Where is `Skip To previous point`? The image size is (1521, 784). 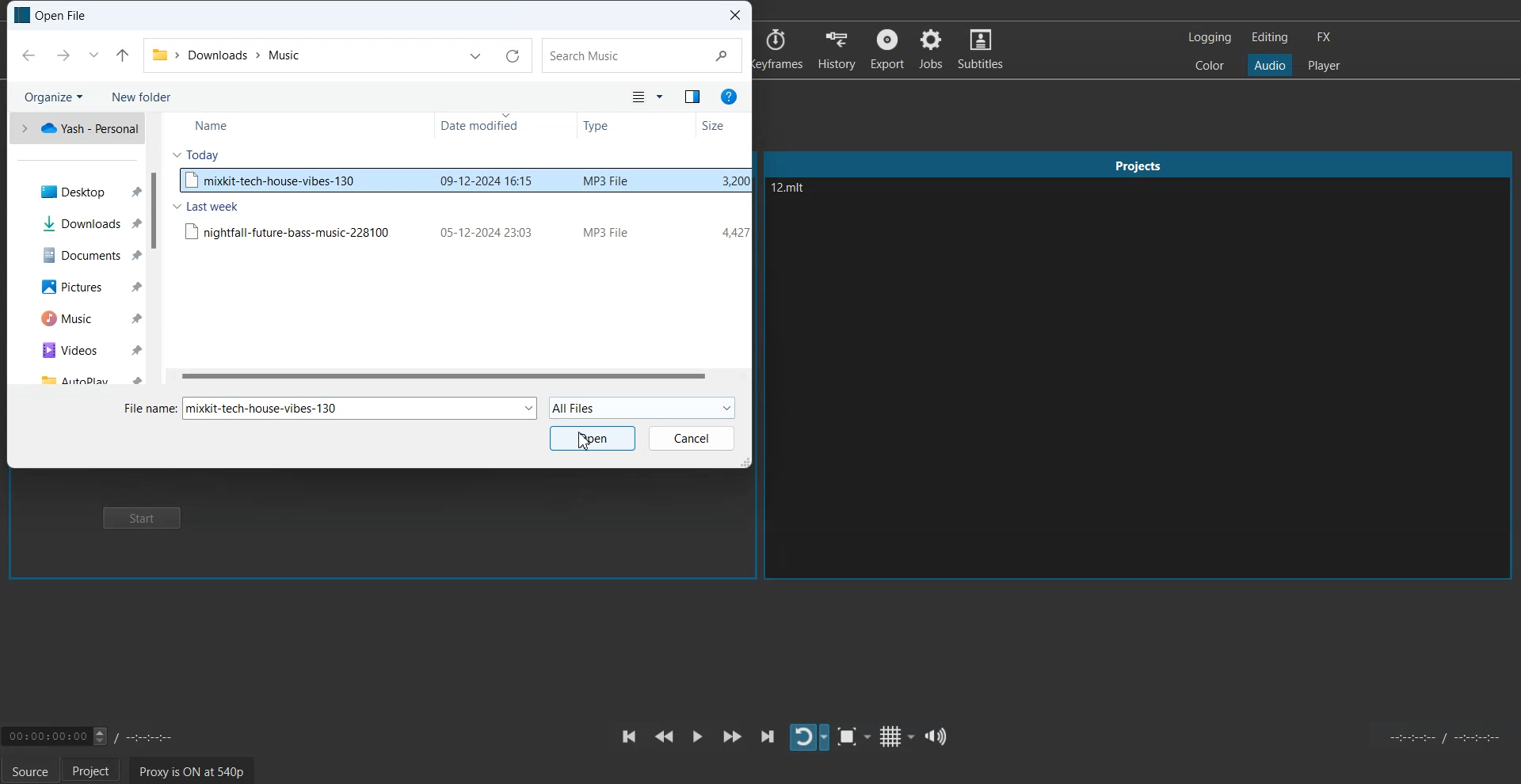
Skip To previous point is located at coordinates (629, 736).